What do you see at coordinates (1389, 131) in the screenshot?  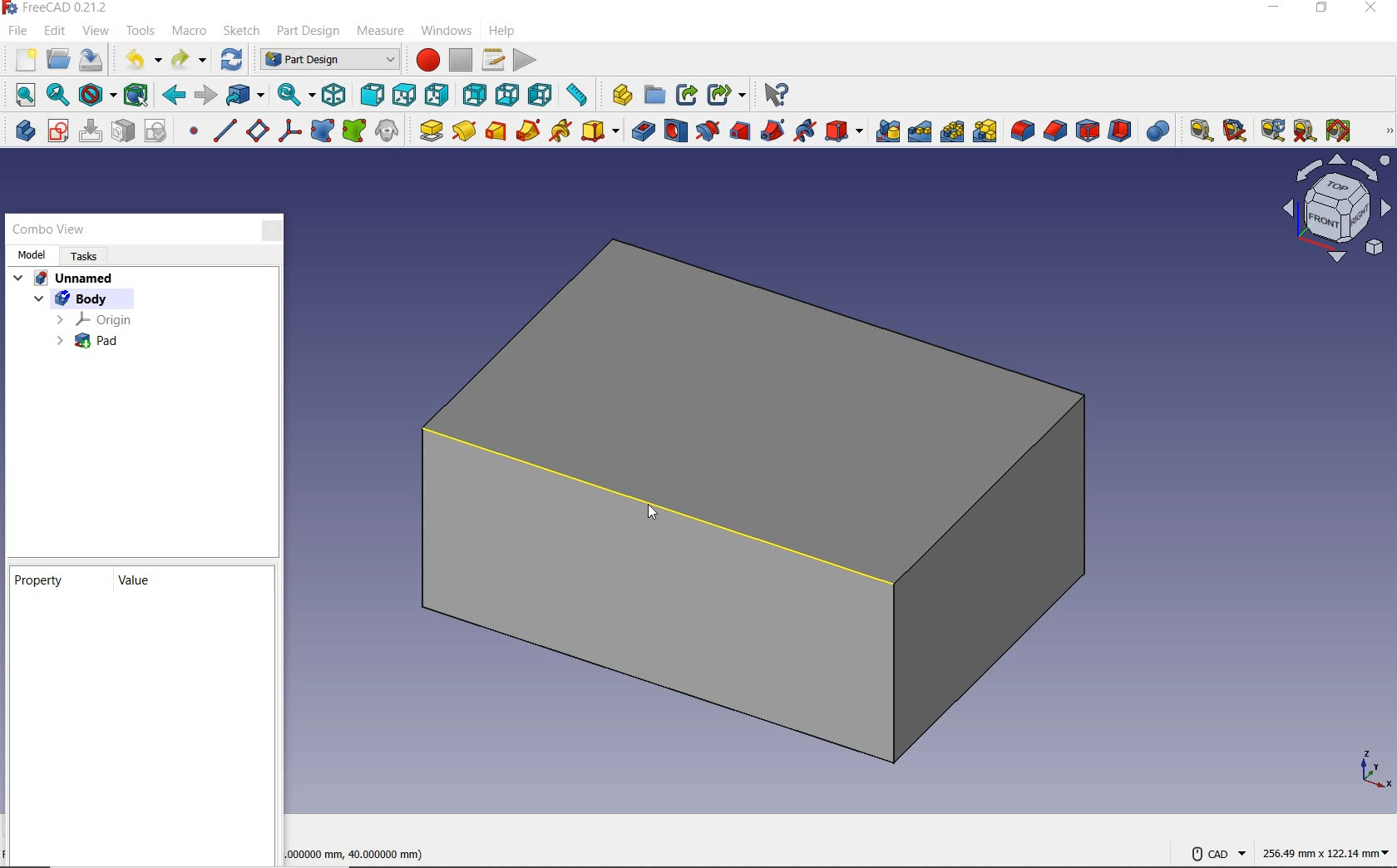 I see `more tools` at bounding box center [1389, 131].